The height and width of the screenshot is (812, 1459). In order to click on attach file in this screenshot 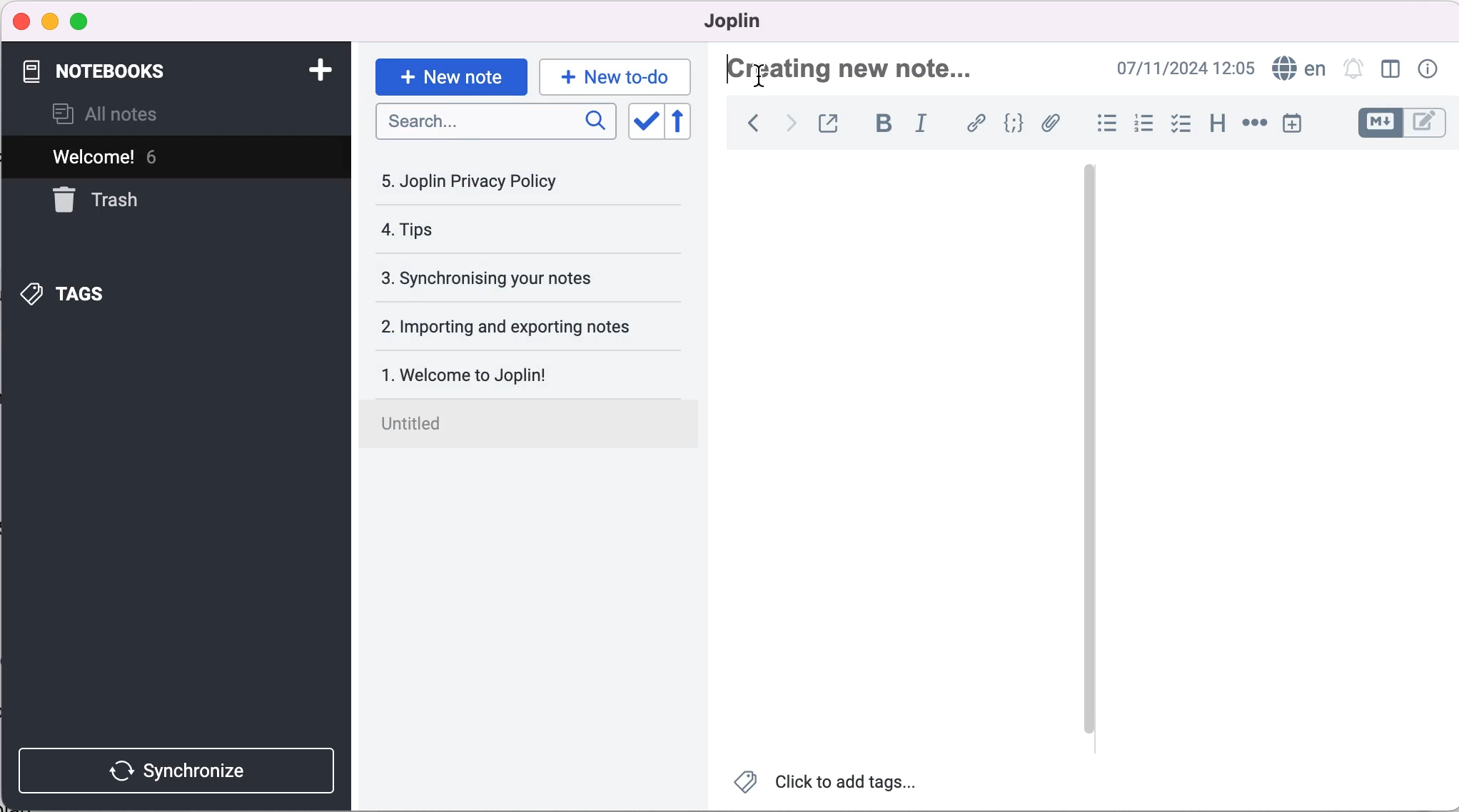, I will do `click(1051, 123)`.